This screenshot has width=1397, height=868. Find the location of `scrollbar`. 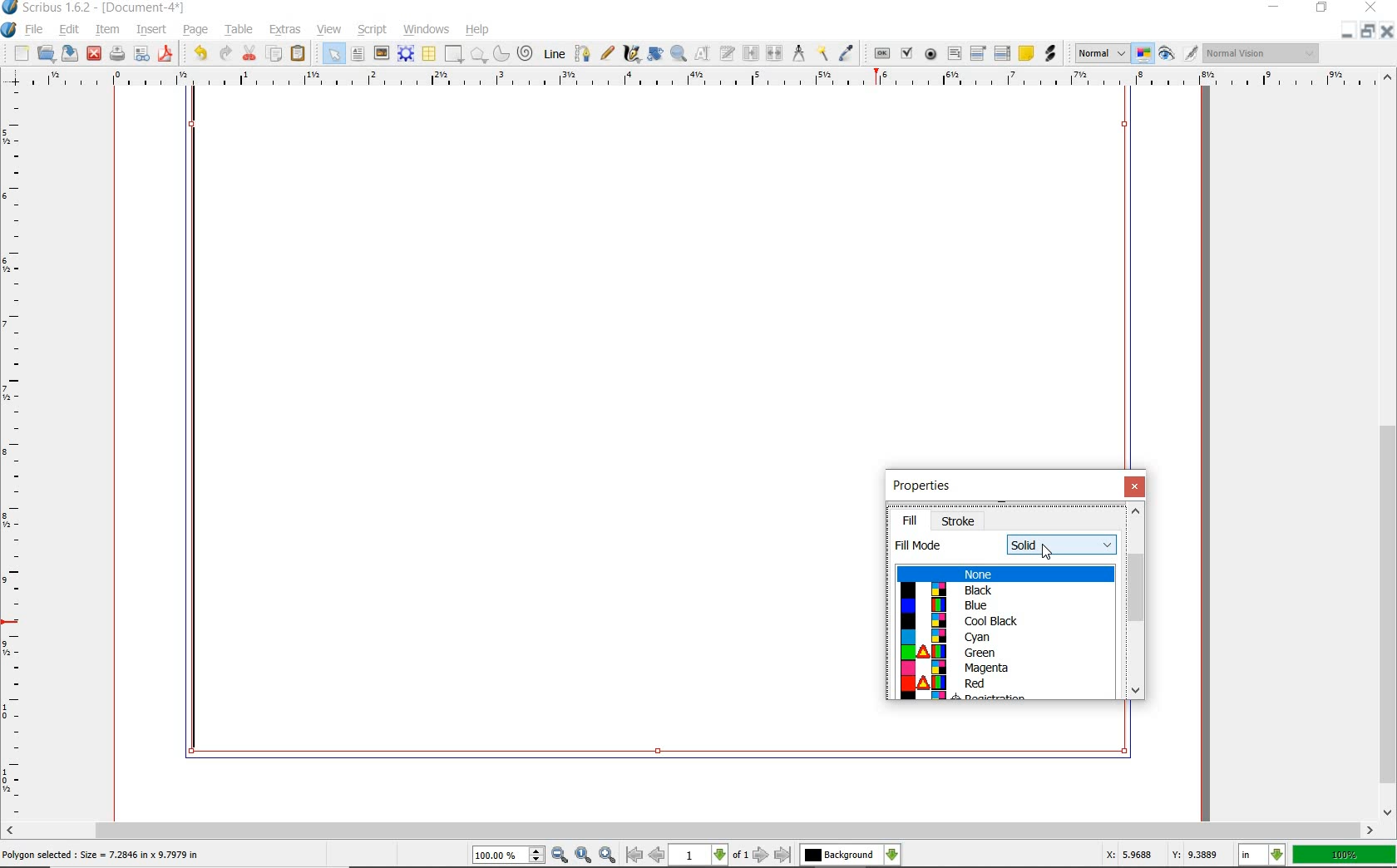

scrollbar is located at coordinates (1387, 445).